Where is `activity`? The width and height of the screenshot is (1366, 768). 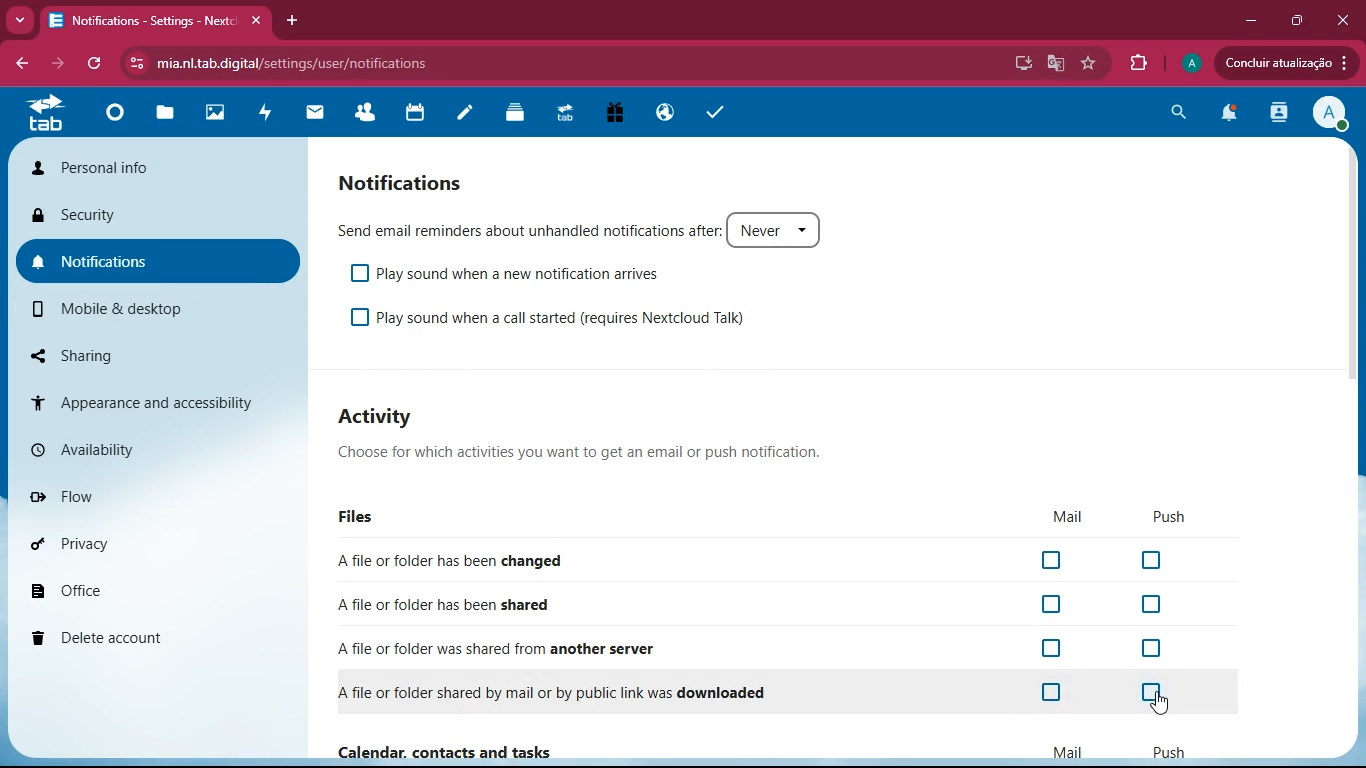
activity is located at coordinates (266, 116).